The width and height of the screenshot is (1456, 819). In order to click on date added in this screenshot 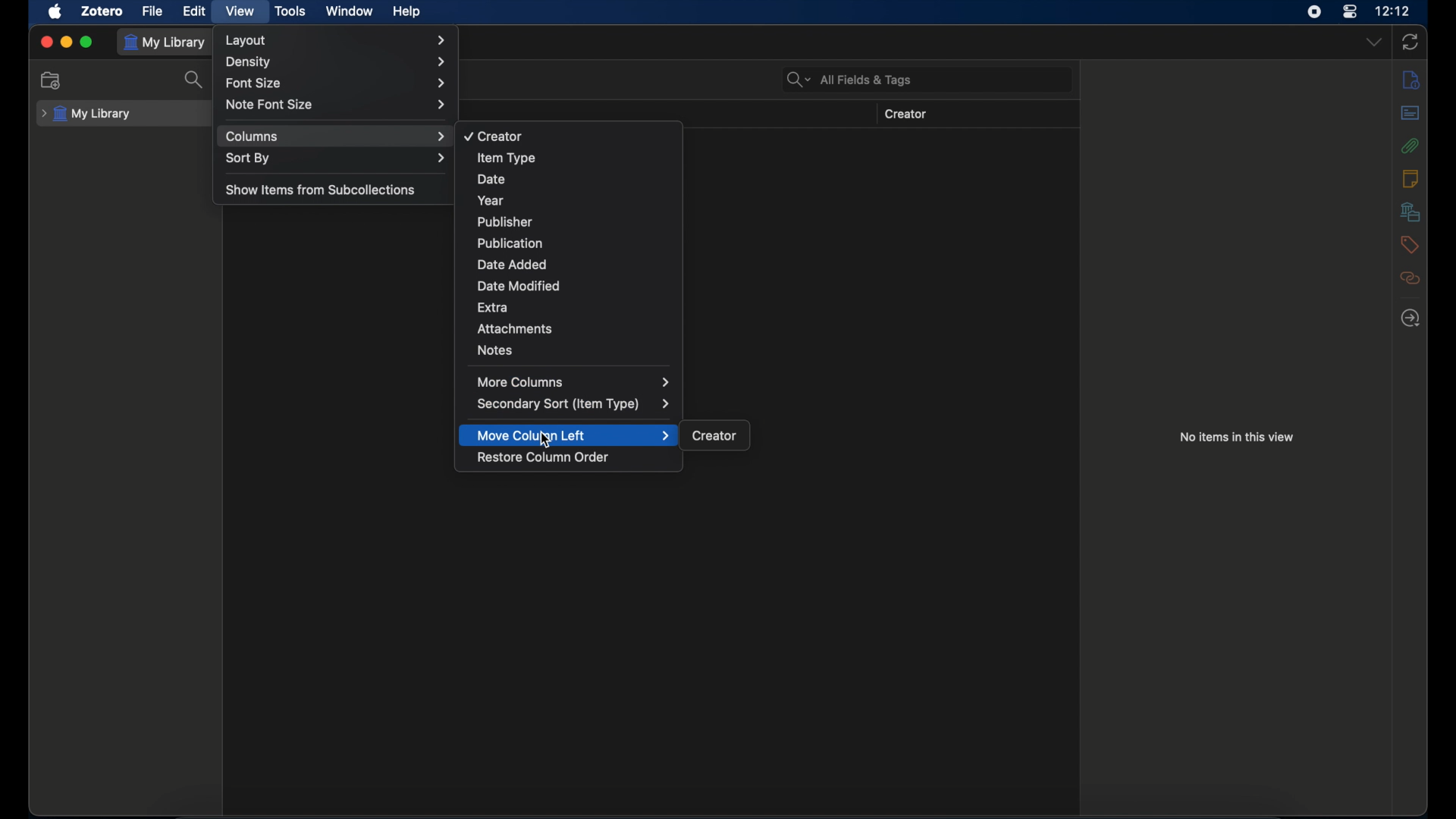, I will do `click(513, 265)`.